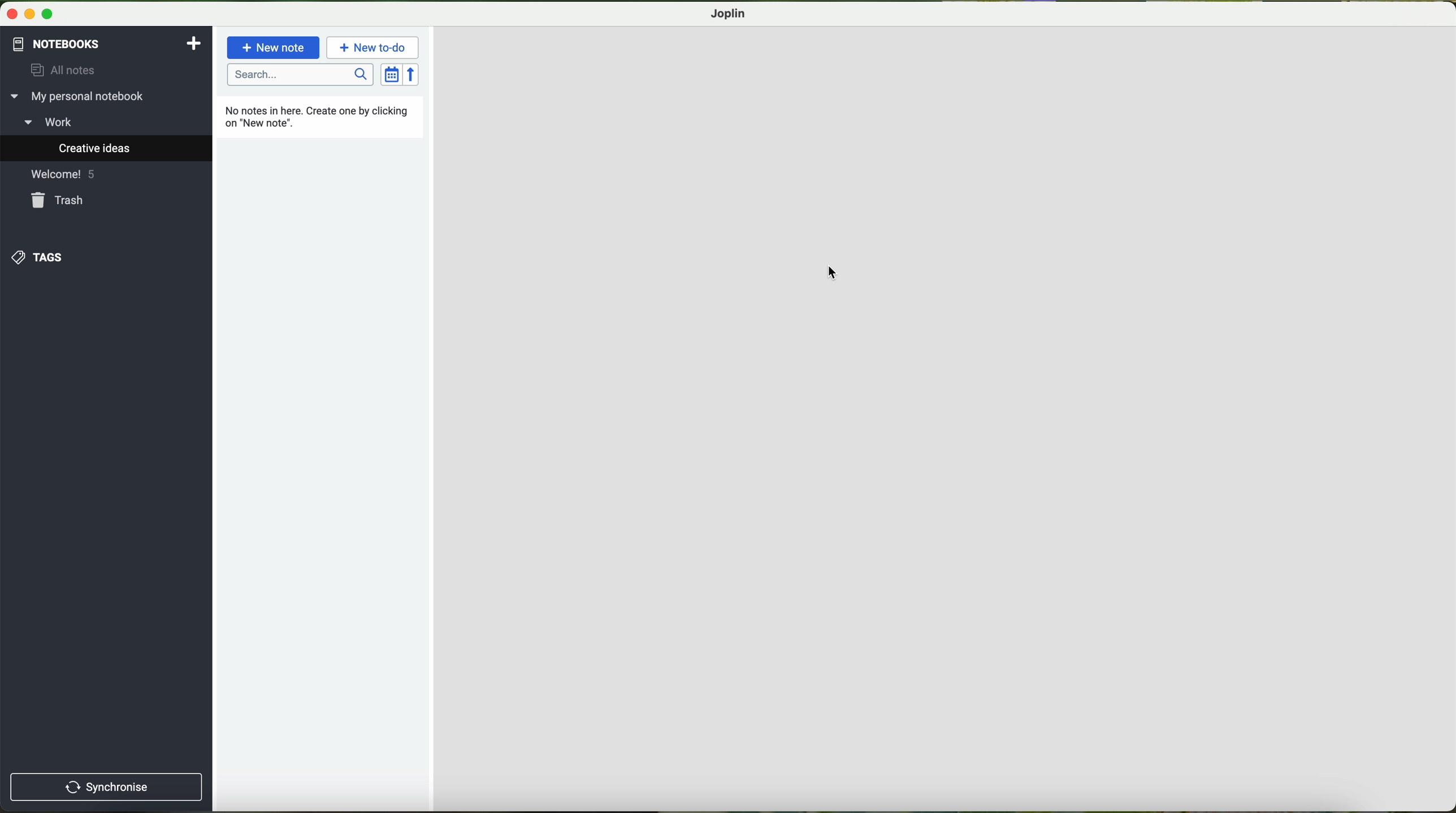 This screenshot has width=1456, height=813. What do you see at coordinates (274, 47) in the screenshot?
I see `new note button` at bounding box center [274, 47].